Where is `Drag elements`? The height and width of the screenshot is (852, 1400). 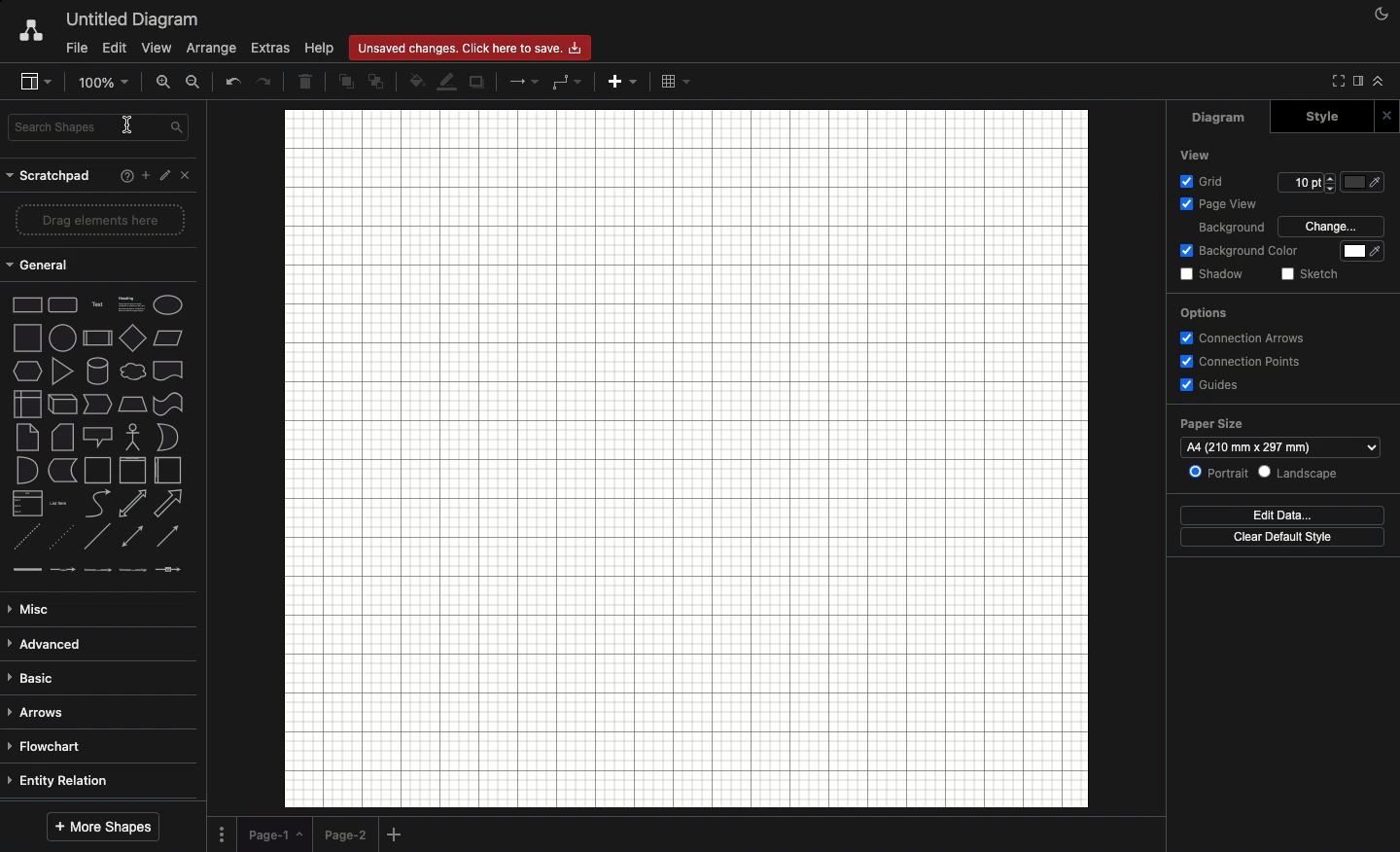 Drag elements is located at coordinates (102, 222).